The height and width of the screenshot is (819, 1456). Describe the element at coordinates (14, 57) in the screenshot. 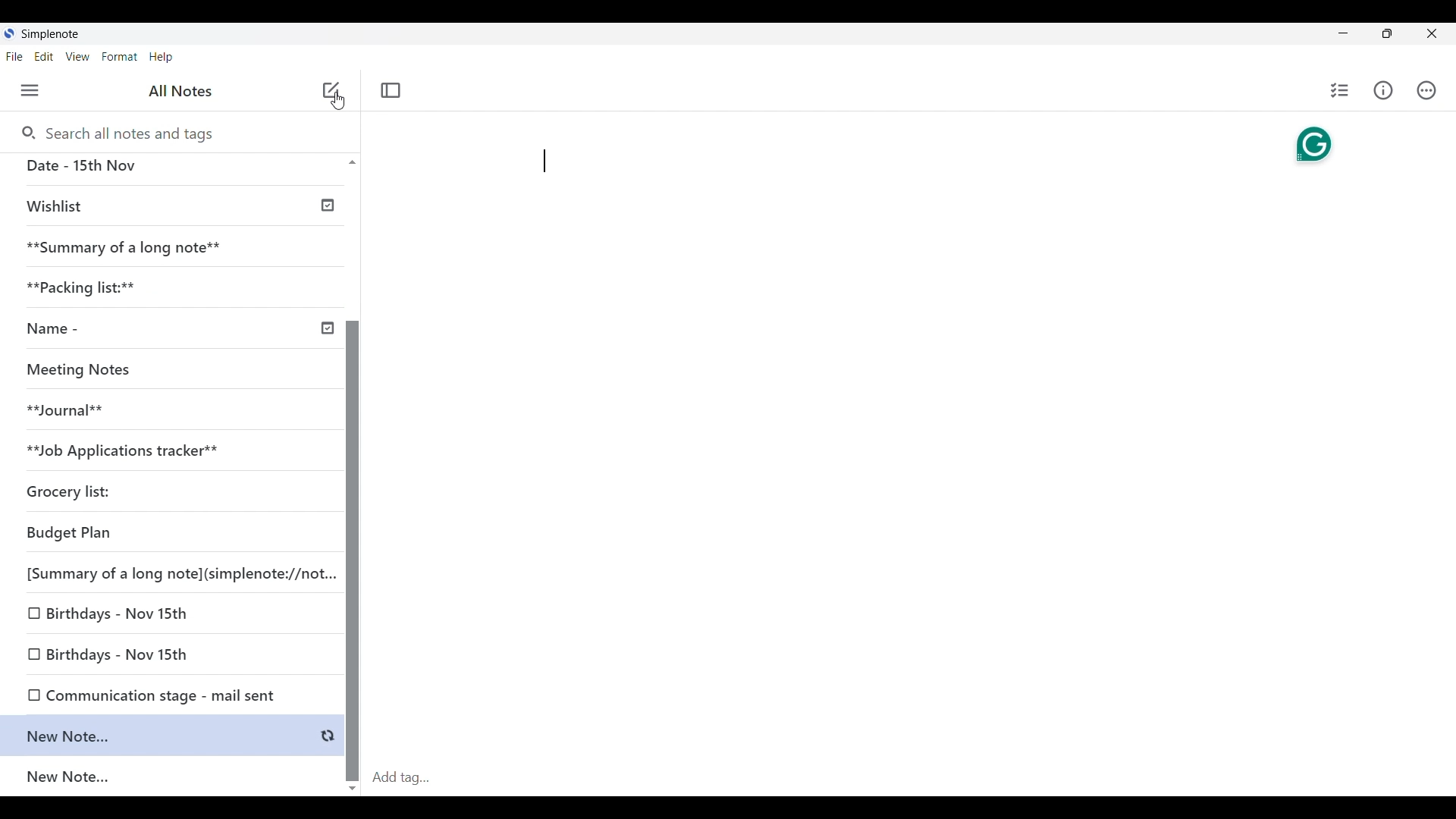

I see `File` at that location.